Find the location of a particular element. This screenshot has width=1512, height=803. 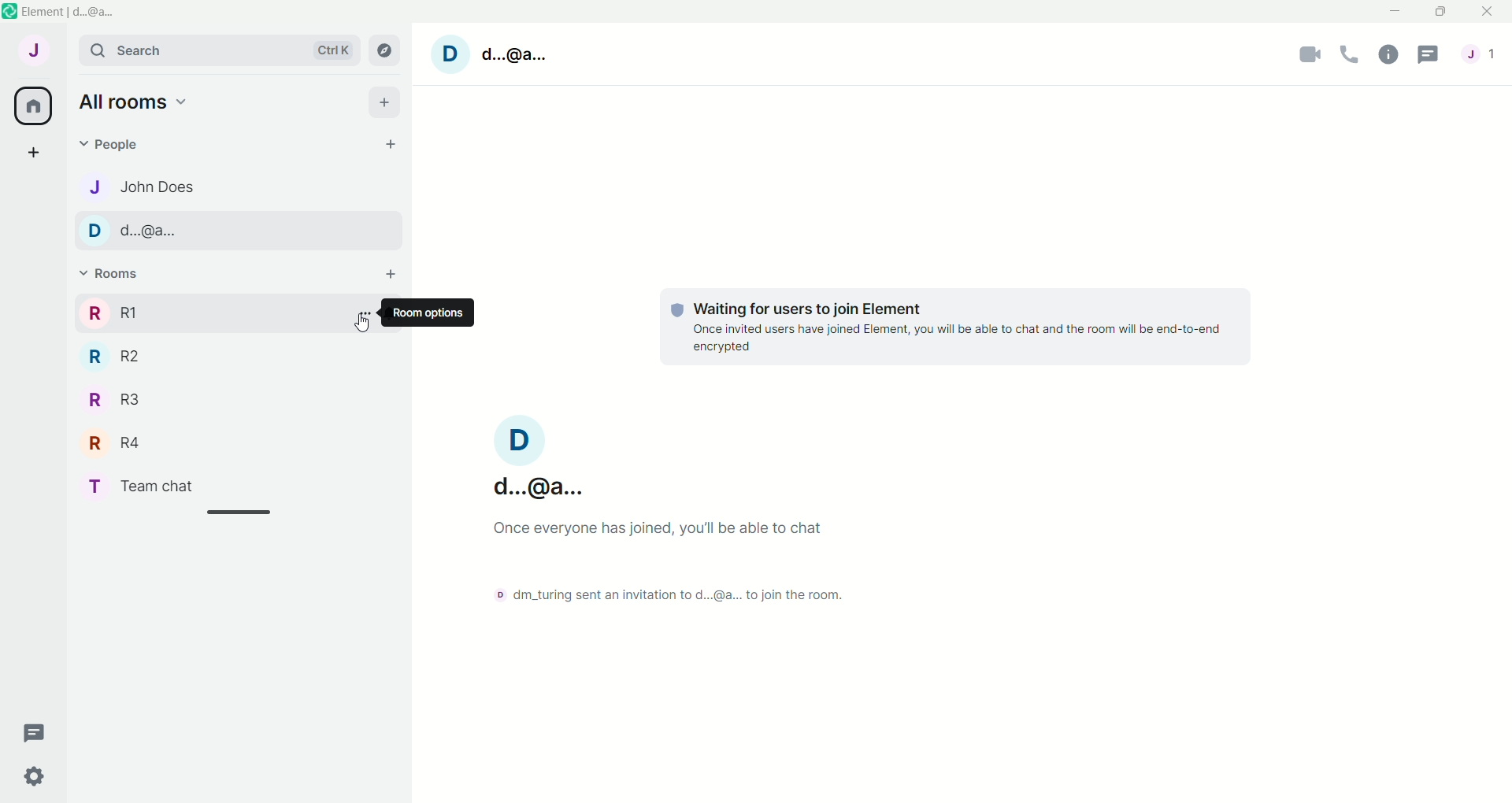

start chat is located at coordinates (394, 147).